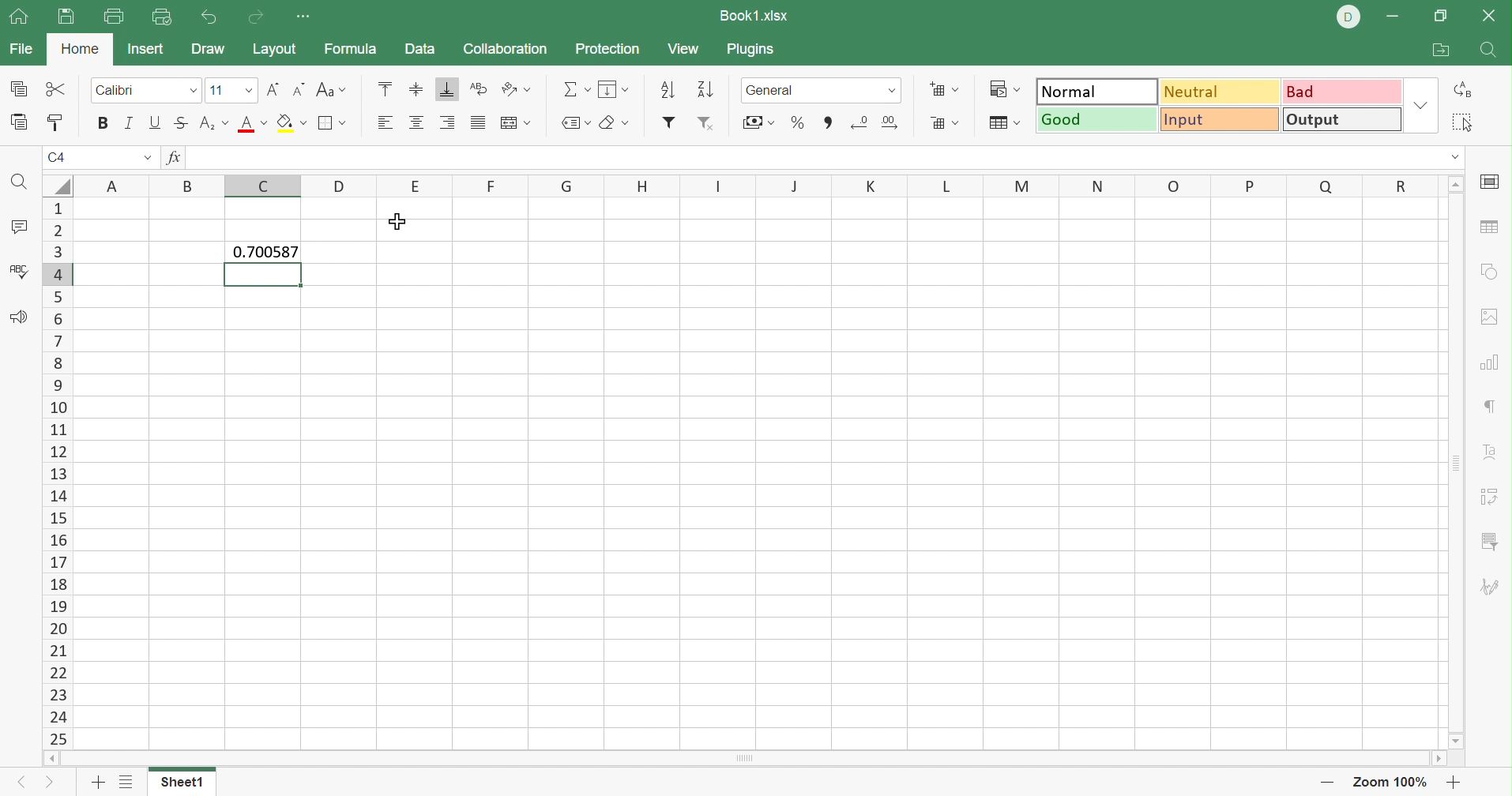  I want to click on Copy style, so click(57, 122).